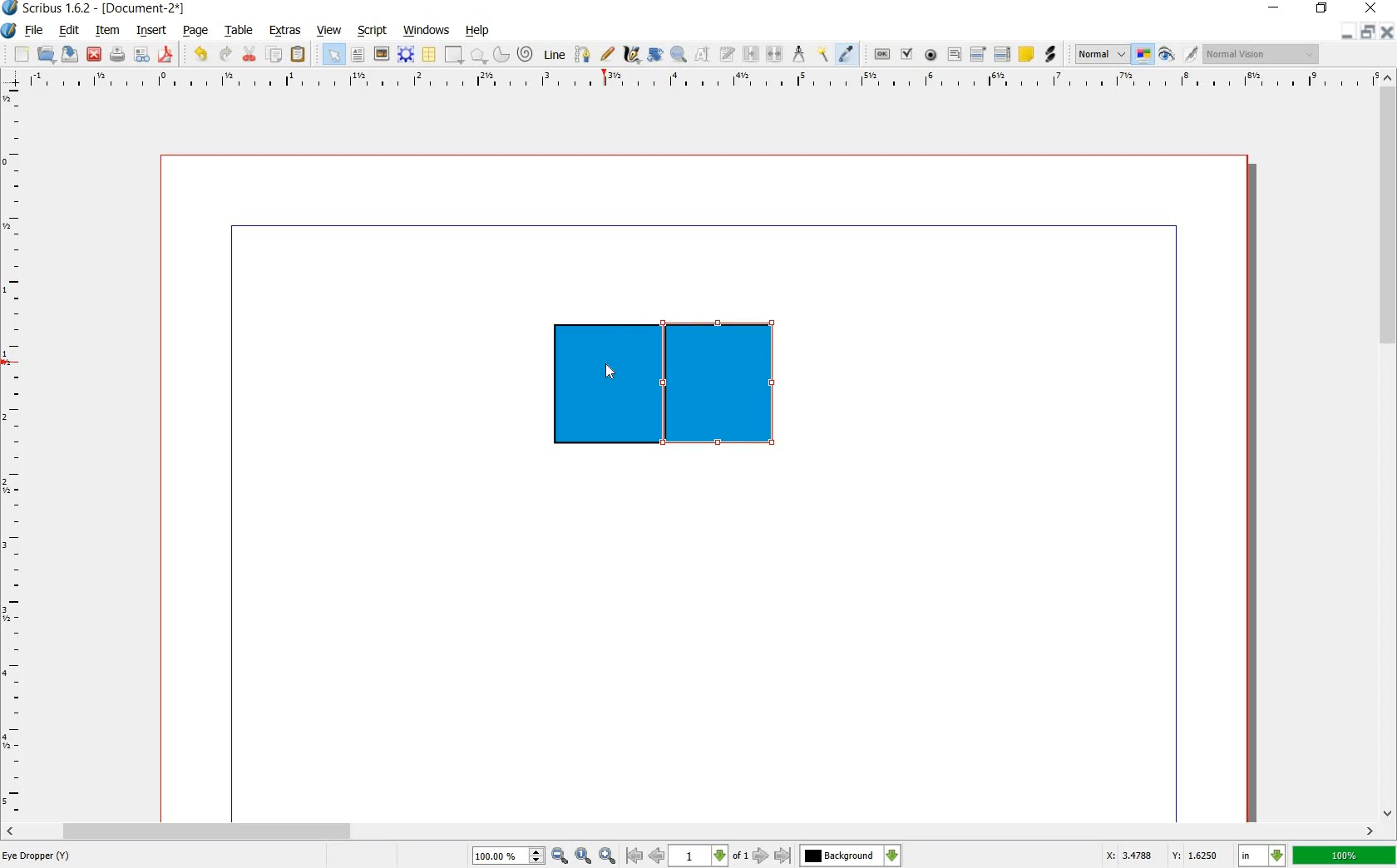 This screenshot has height=868, width=1397. What do you see at coordinates (1143, 54) in the screenshot?
I see `toggle color management system` at bounding box center [1143, 54].